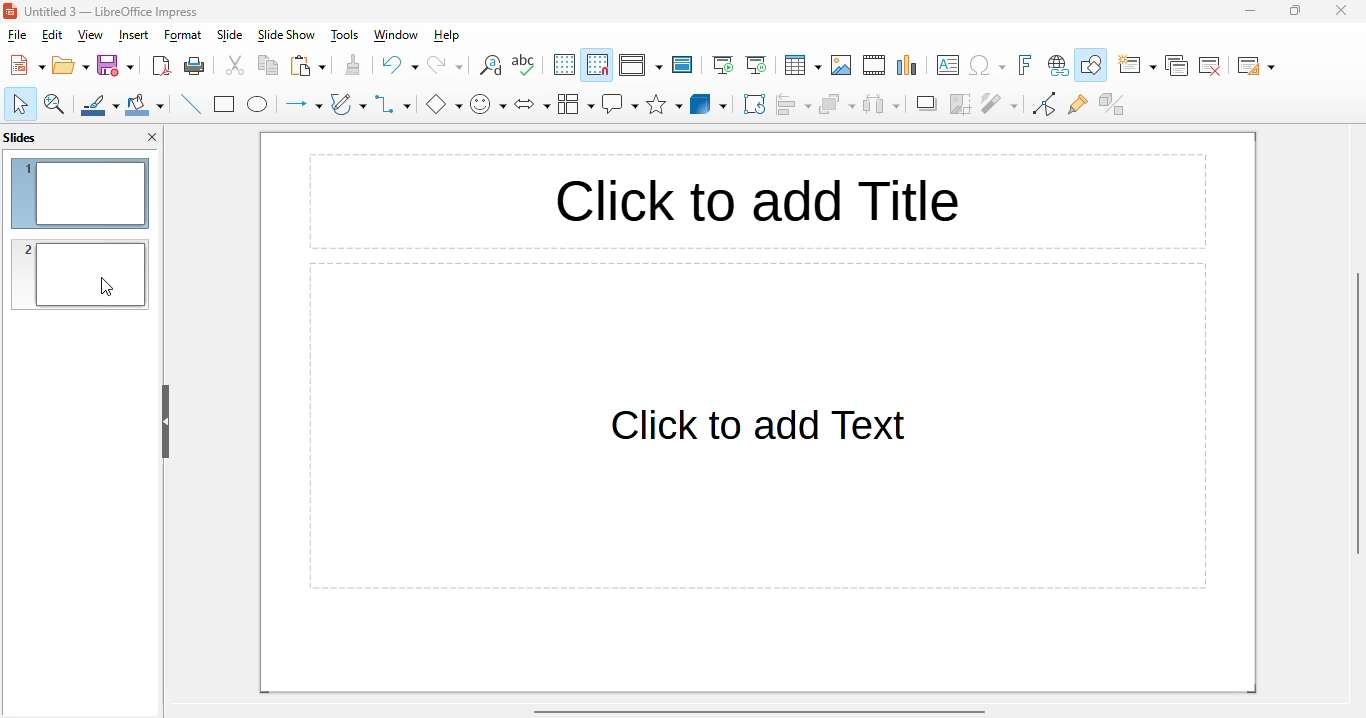  Describe the element at coordinates (393, 103) in the screenshot. I see `connectors` at that location.